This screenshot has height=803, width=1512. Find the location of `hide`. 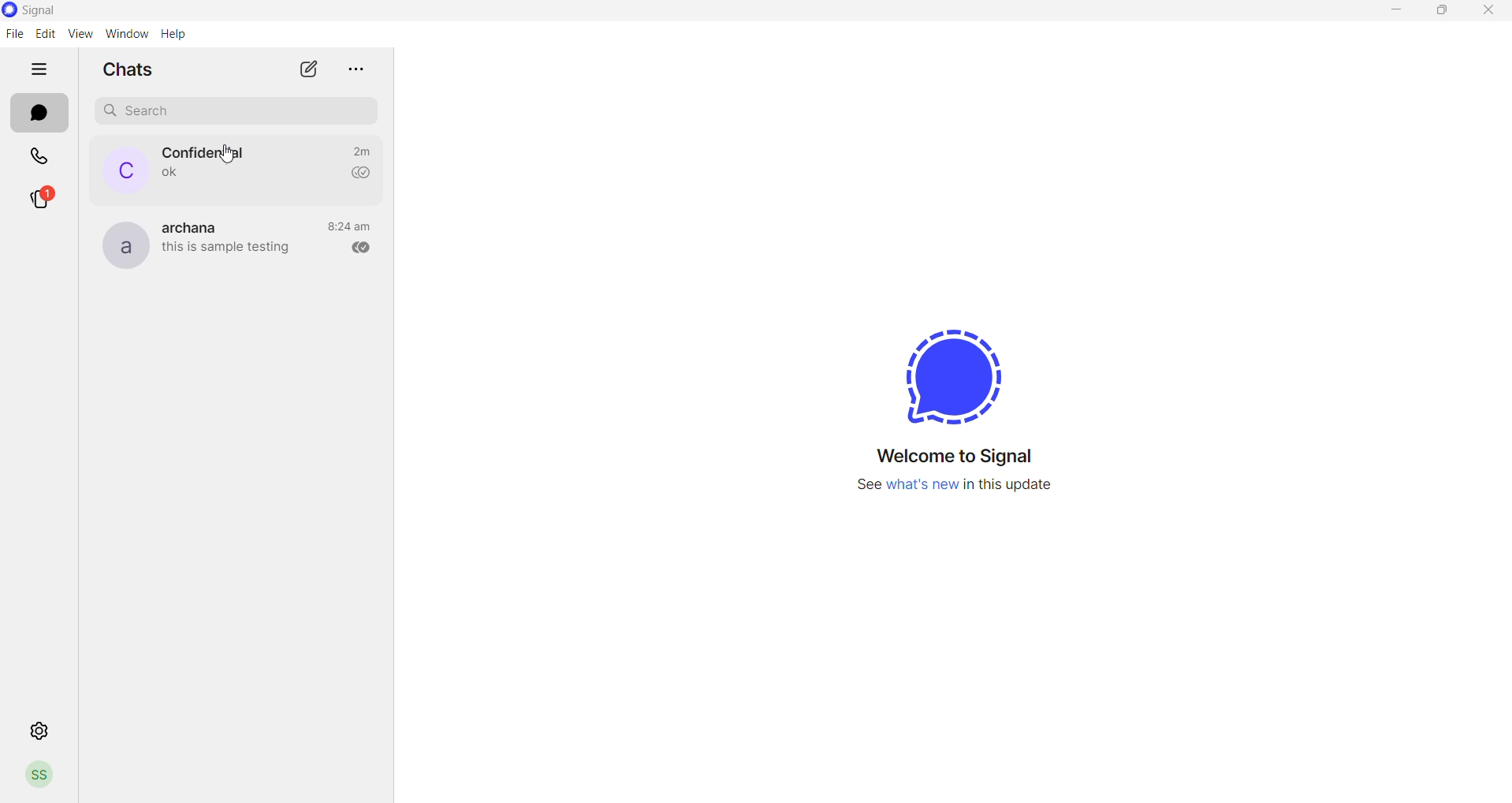

hide is located at coordinates (39, 73).